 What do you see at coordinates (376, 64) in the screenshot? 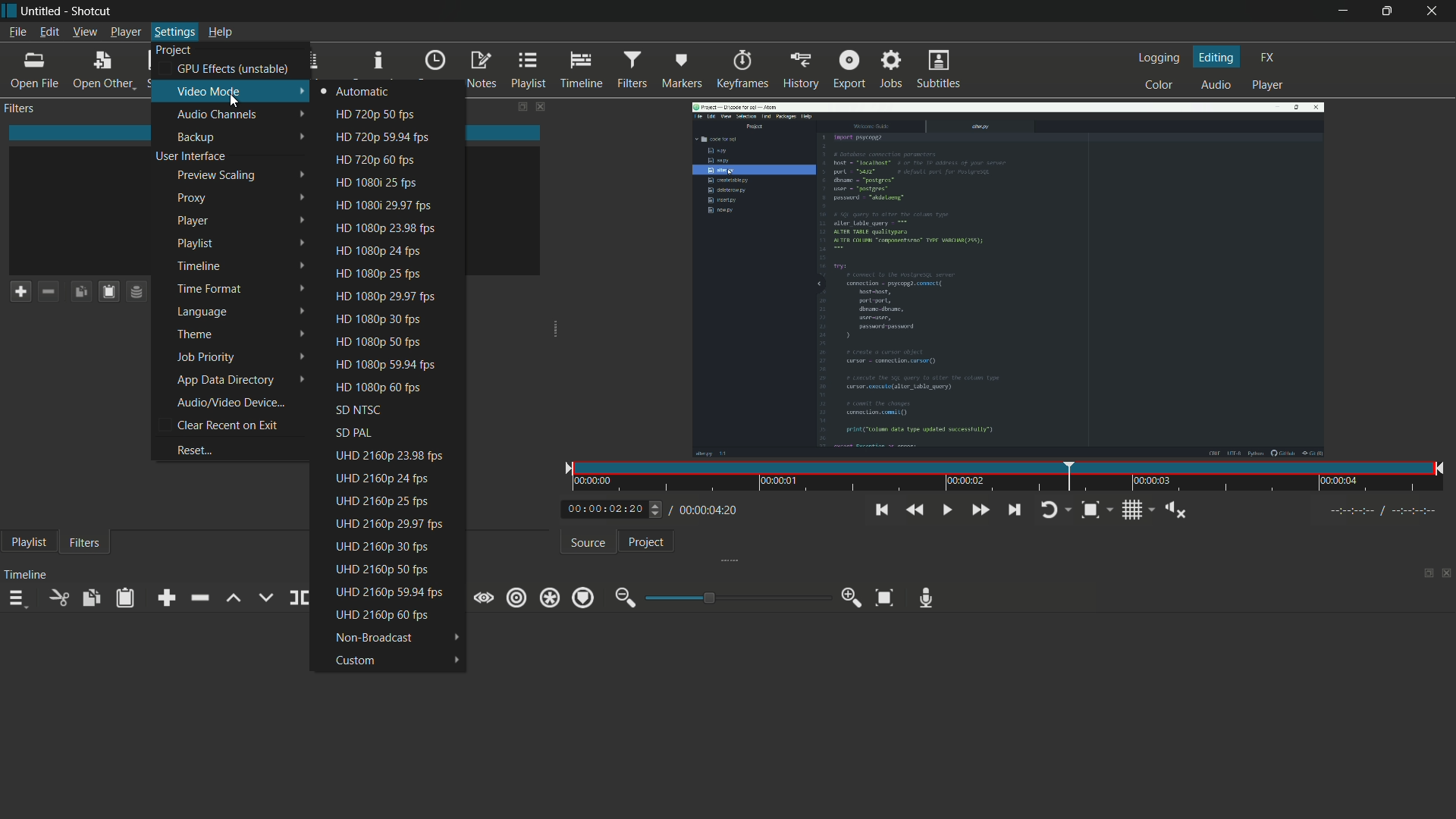
I see `properties` at bounding box center [376, 64].